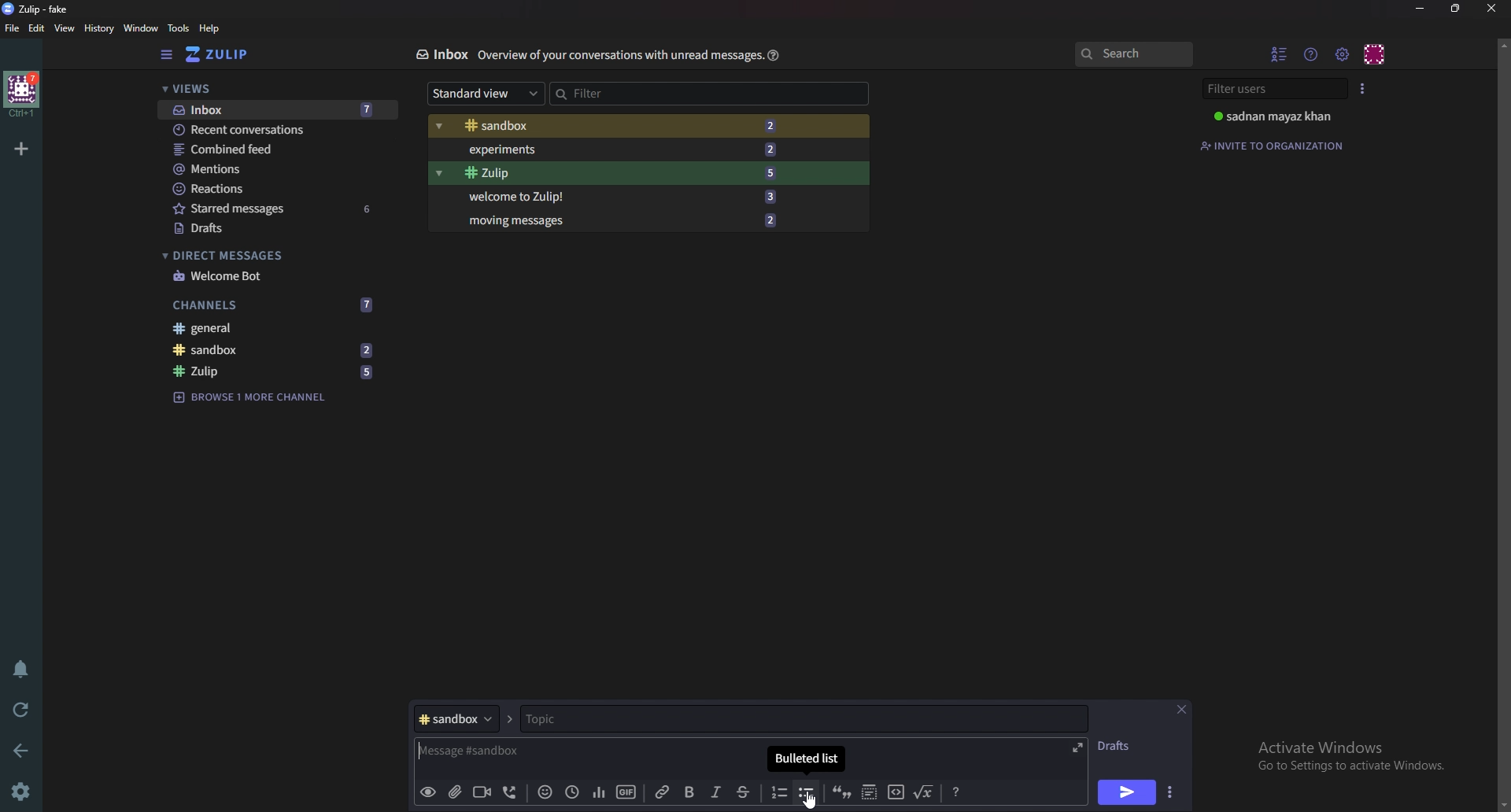  What do you see at coordinates (276, 111) in the screenshot?
I see `Inbox` at bounding box center [276, 111].